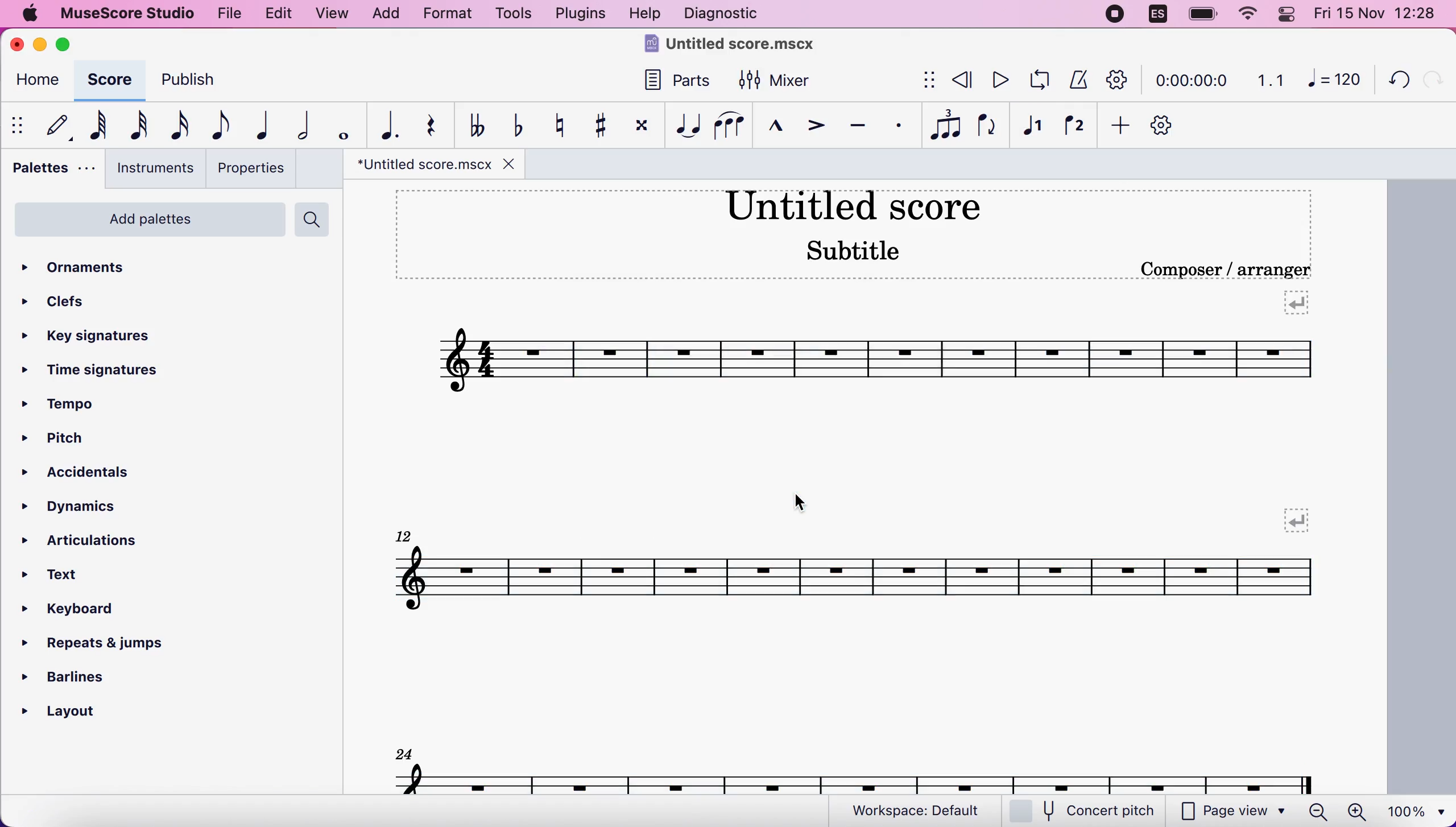 This screenshot has height=827, width=1456. Describe the element at coordinates (921, 811) in the screenshot. I see `workspace: default` at that location.